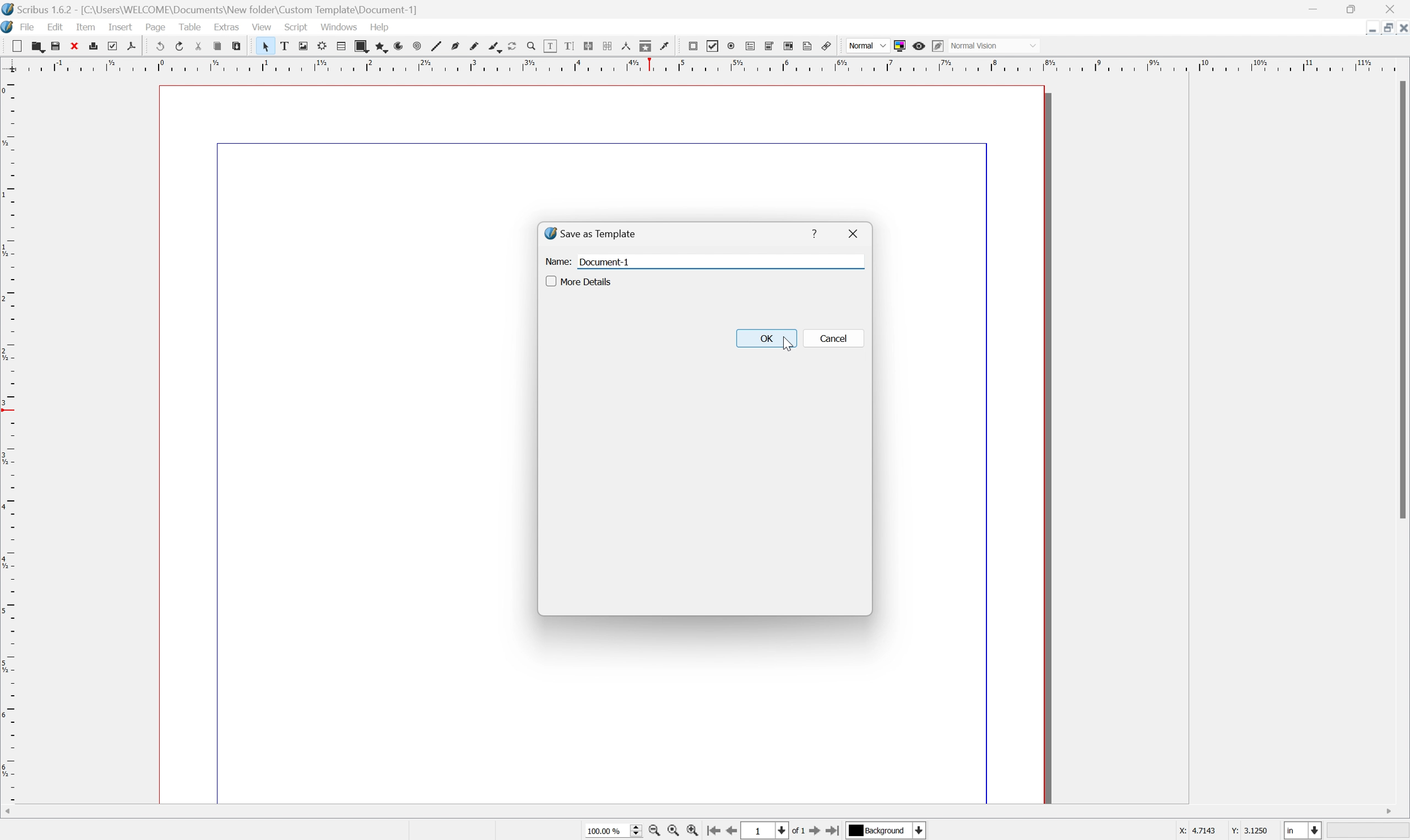 This screenshot has width=1410, height=840. I want to click on 100.00%, so click(615, 831).